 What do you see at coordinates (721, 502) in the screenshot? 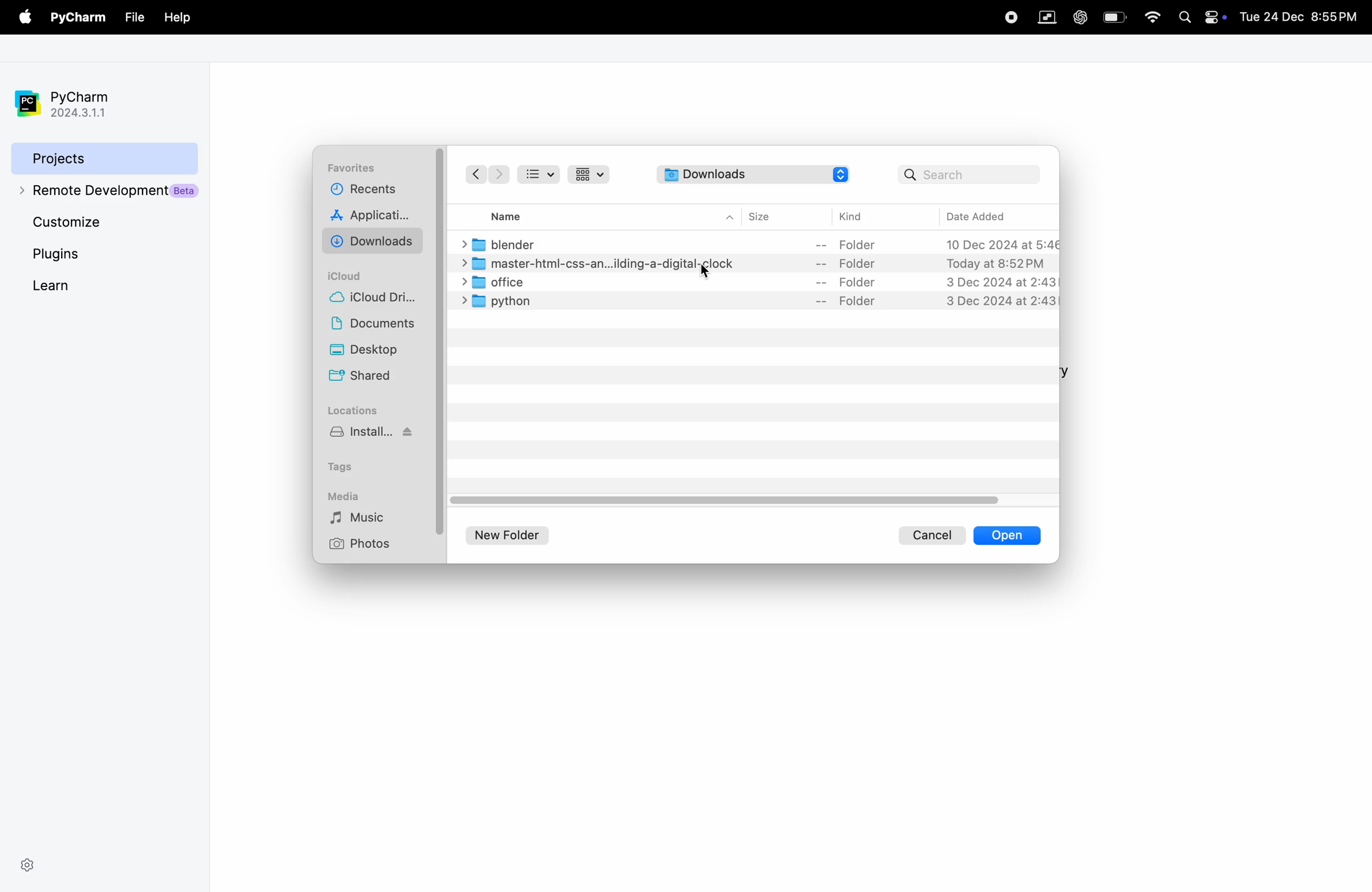
I see `scroll bar` at bounding box center [721, 502].